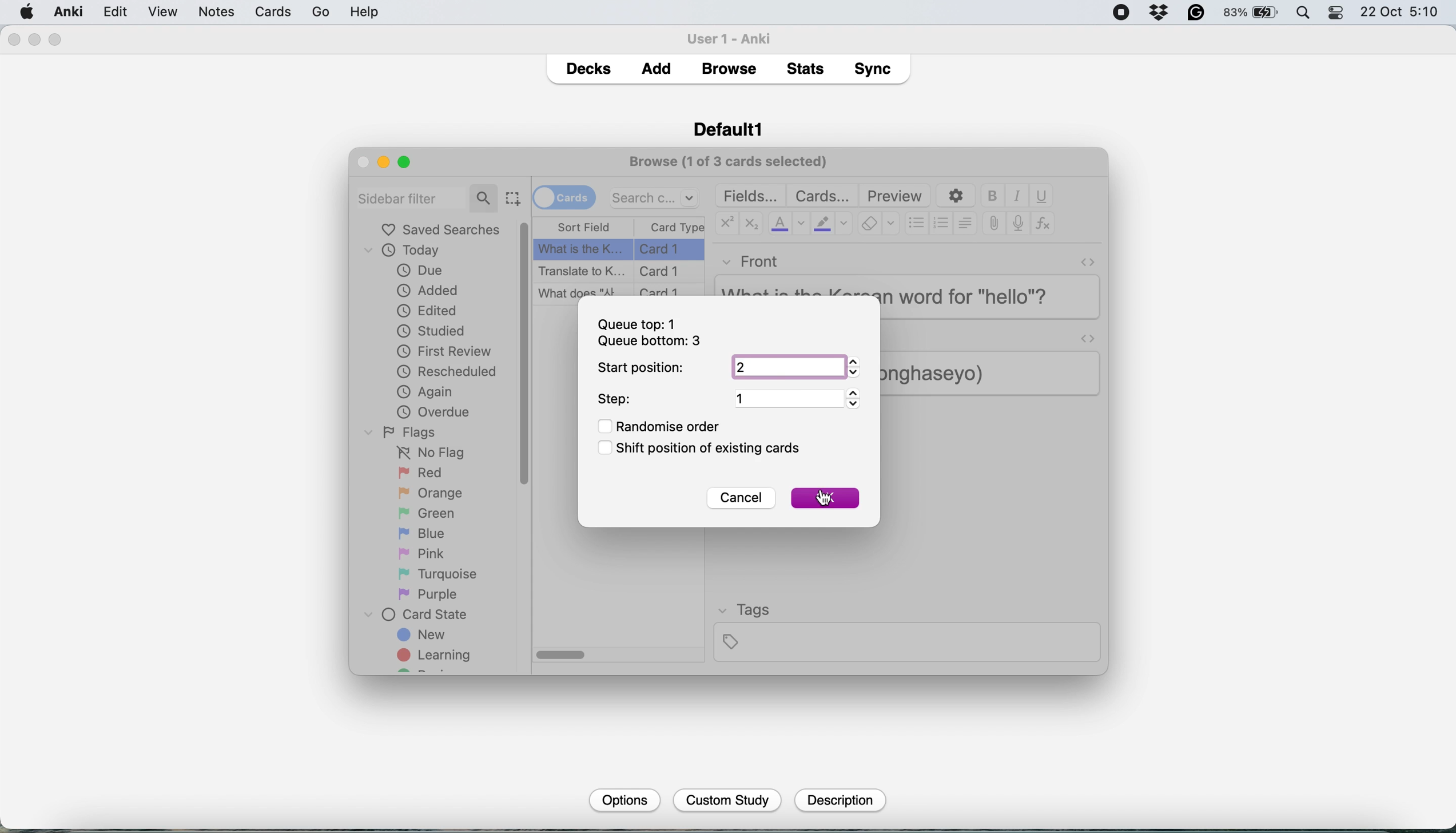 The height and width of the screenshot is (833, 1456). I want to click on step:, so click(617, 399).